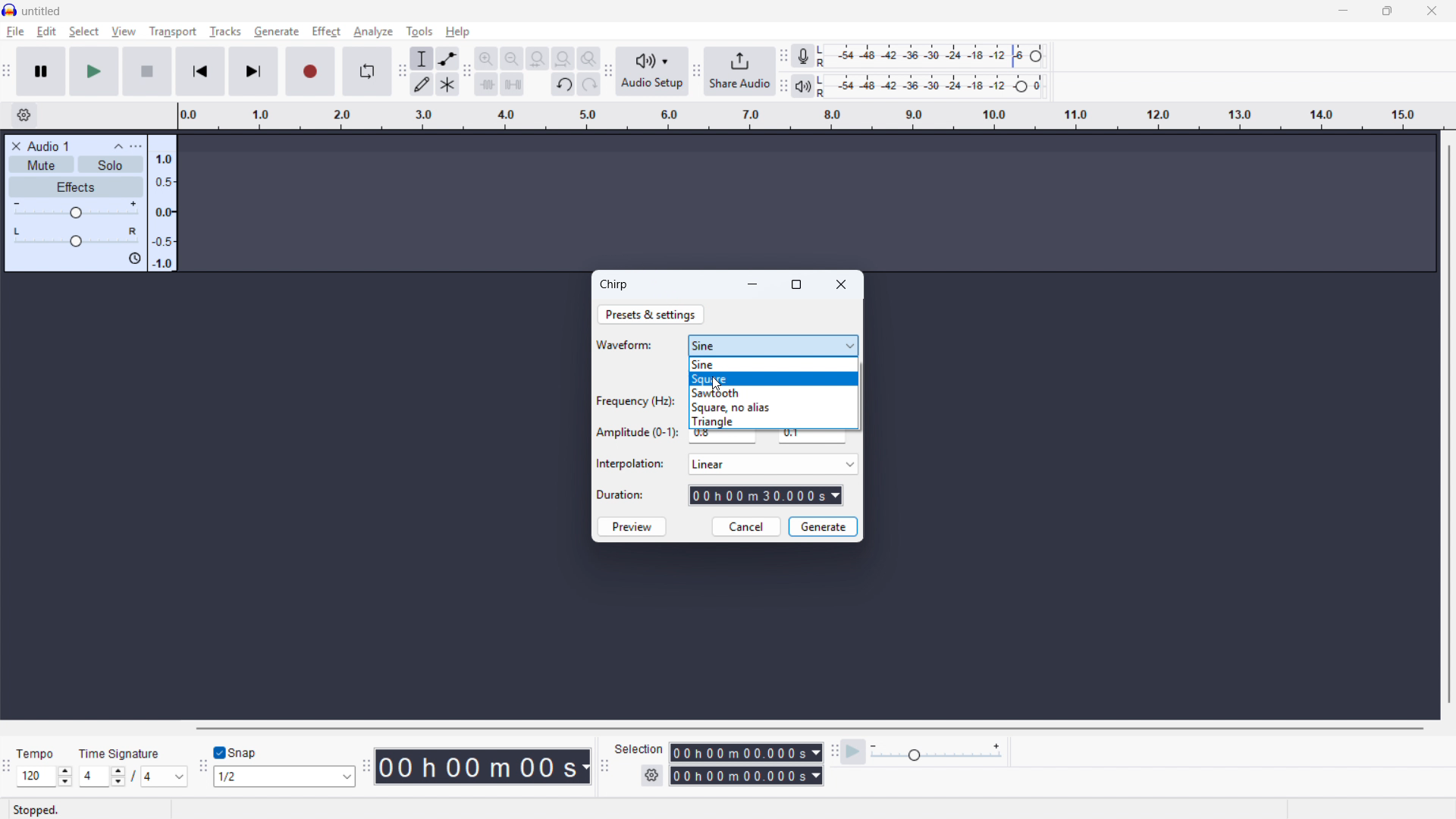 The image size is (1456, 819). What do you see at coordinates (422, 58) in the screenshot?
I see `Selection tool` at bounding box center [422, 58].